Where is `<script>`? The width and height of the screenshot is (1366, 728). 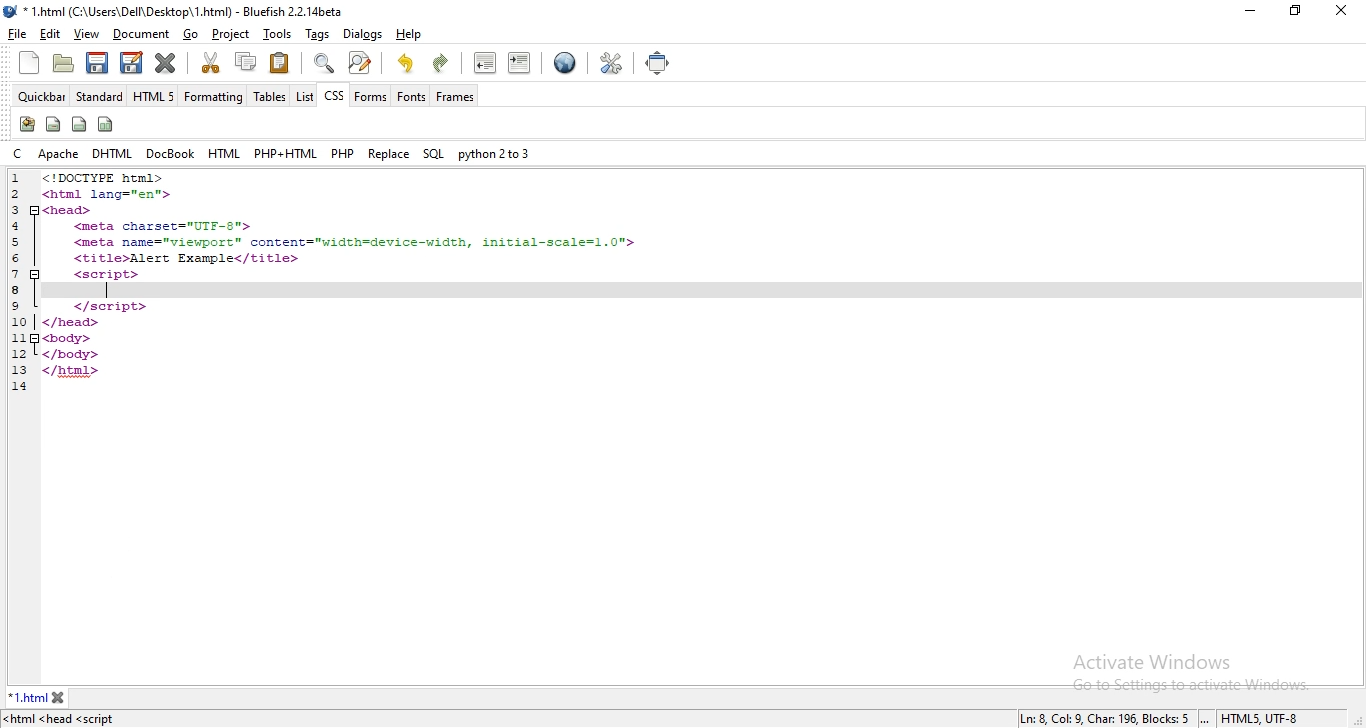
<script> is located at coordinates (107, 275).